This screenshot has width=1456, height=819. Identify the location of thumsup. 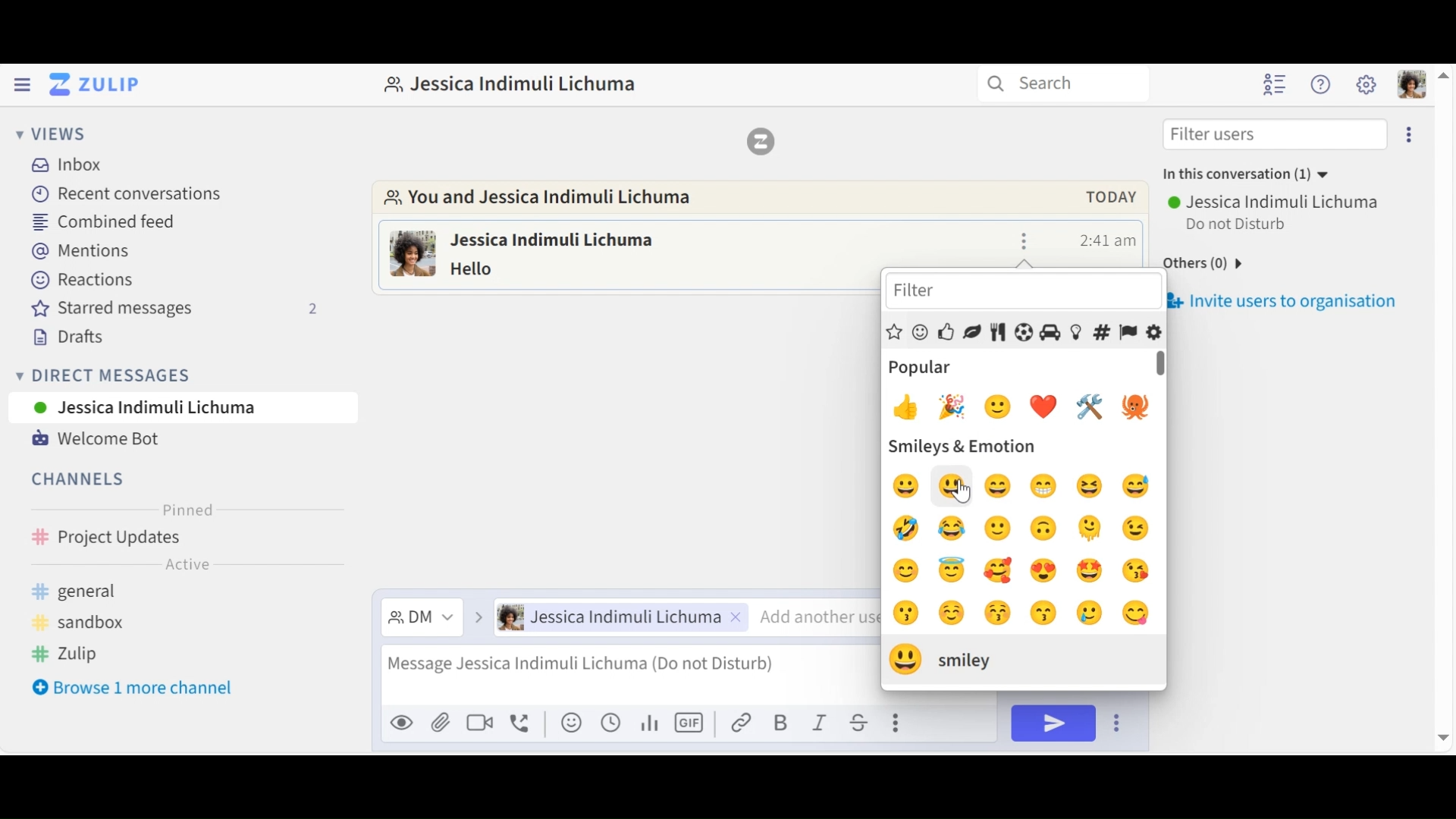
(905, 406).